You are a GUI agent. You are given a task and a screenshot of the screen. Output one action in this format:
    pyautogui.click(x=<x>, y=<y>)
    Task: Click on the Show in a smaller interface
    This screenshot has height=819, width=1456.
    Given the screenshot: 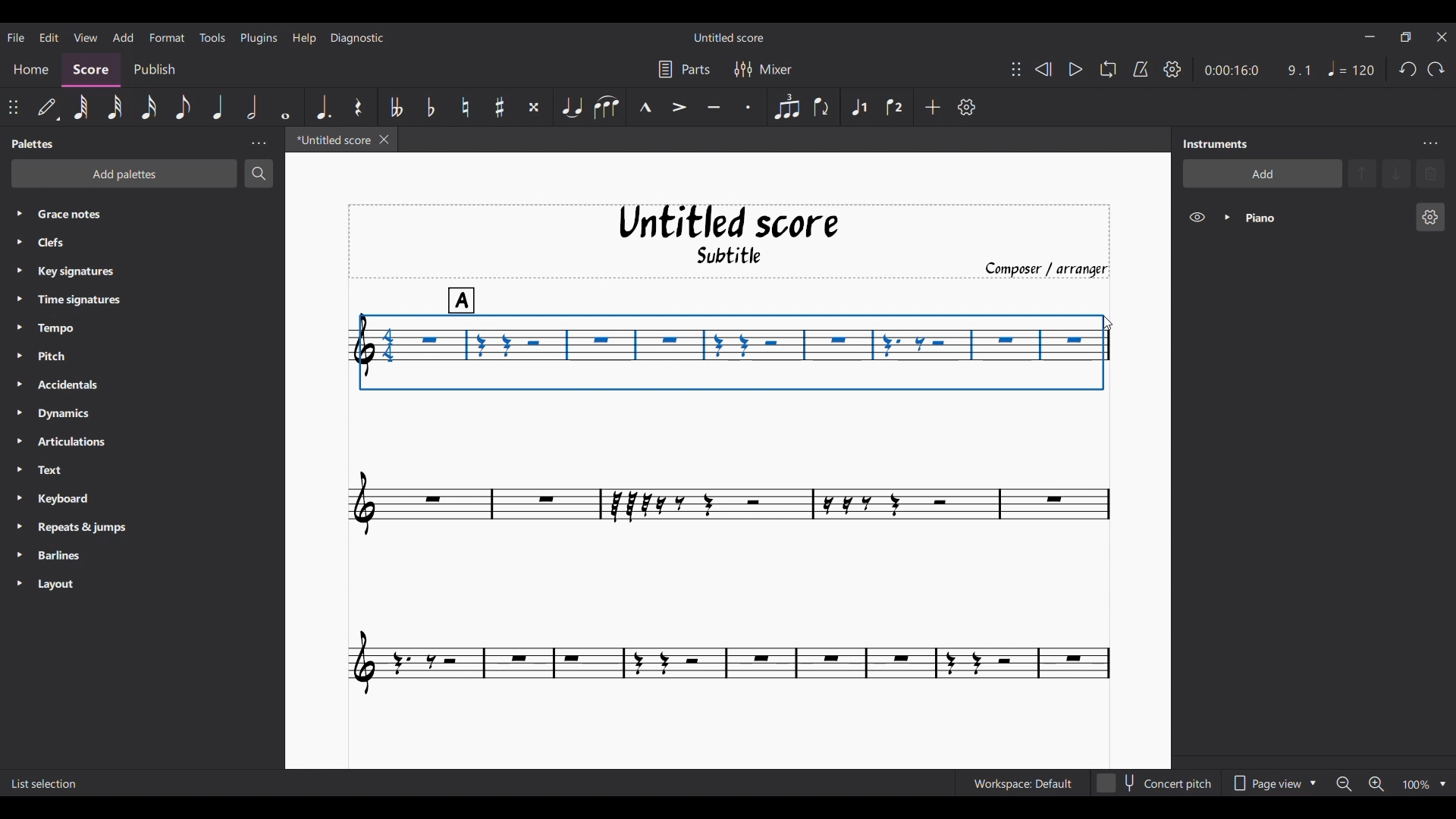 What is the action you would take?
    pyautogui.click(x=1405, y=37)
    